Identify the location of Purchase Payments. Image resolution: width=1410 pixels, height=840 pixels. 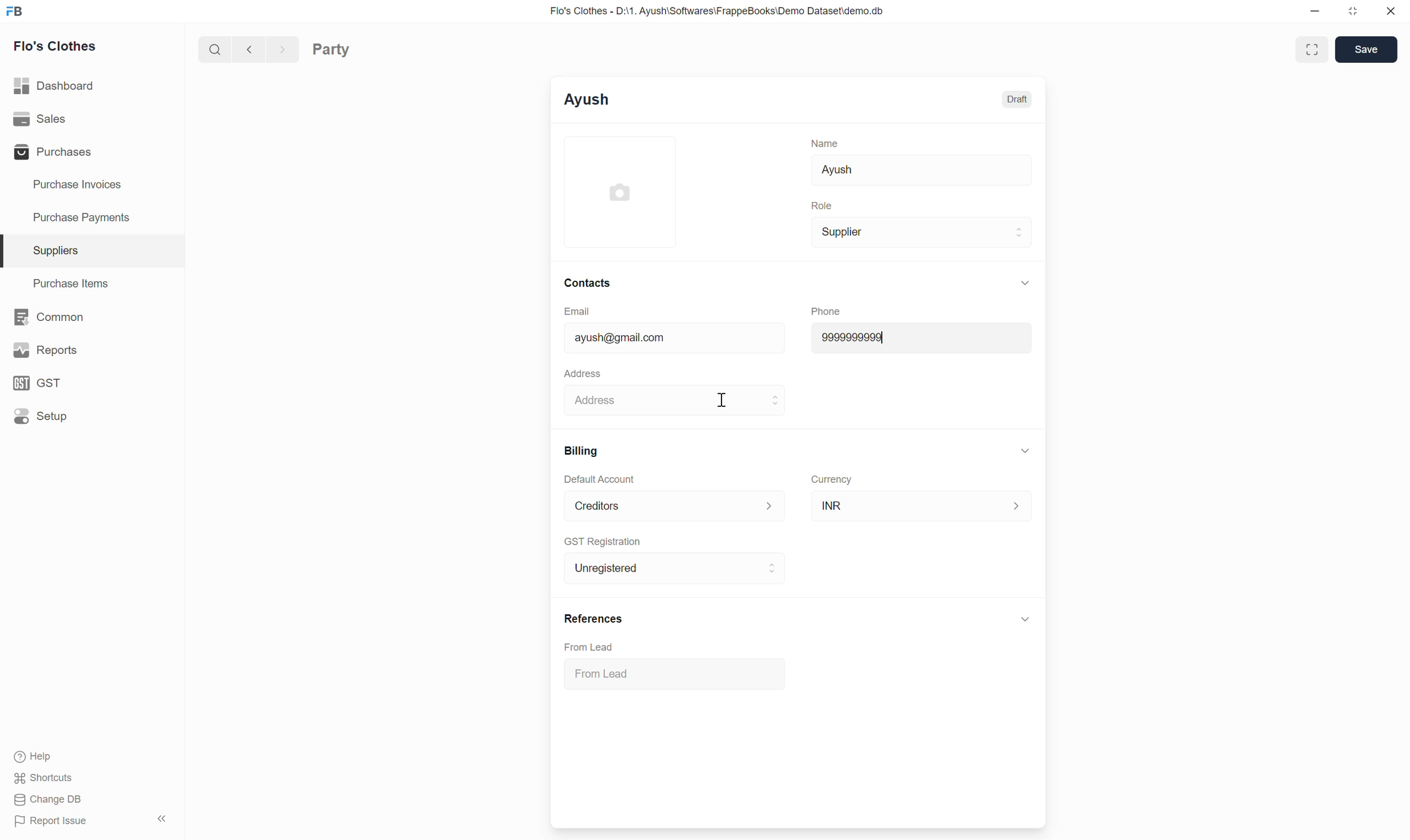
(92, 218).